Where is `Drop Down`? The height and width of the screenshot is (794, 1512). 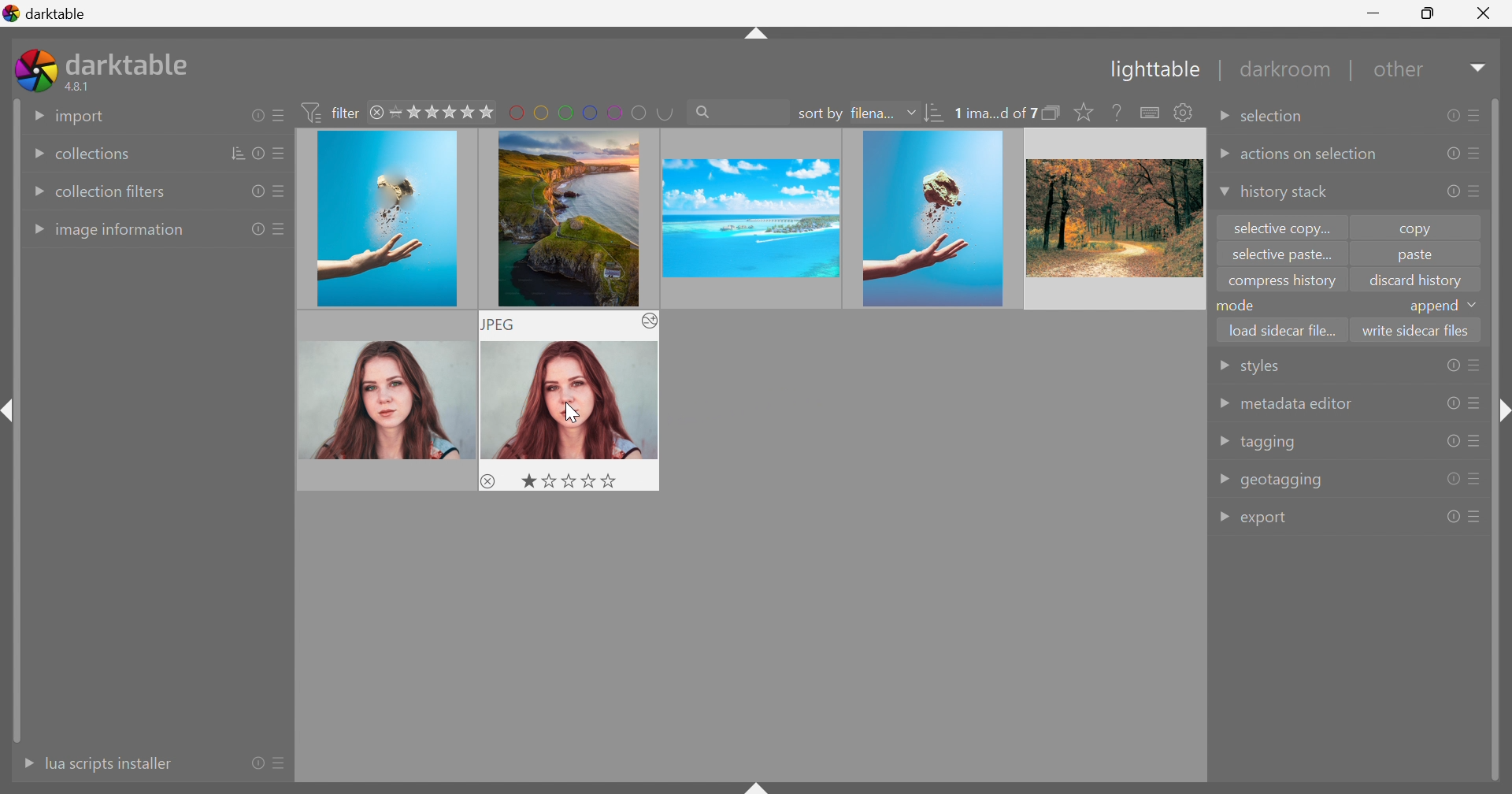 Drop Down is located at coordinates (1222, 366).